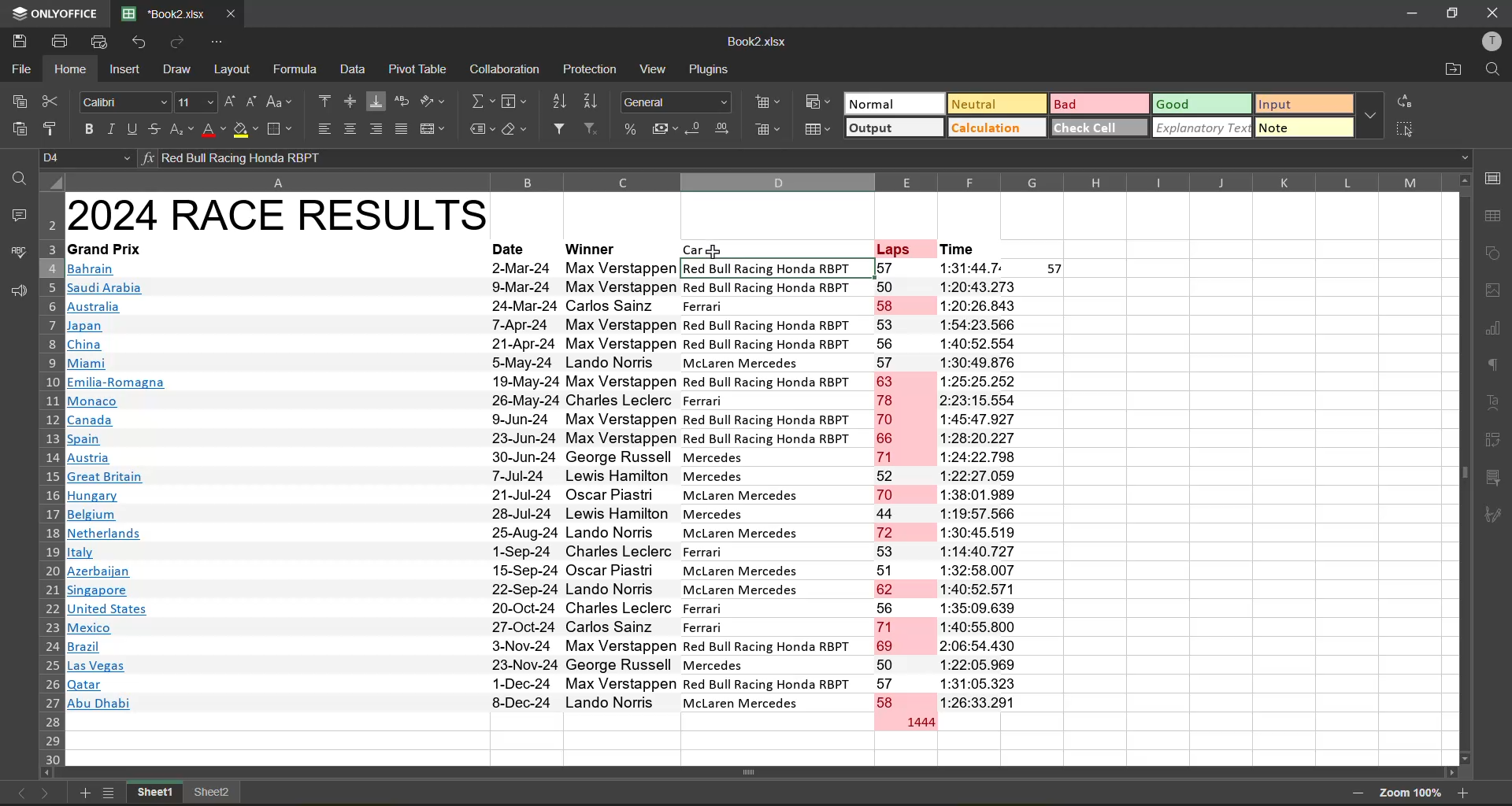 This screenshot has height=806, width=1512. I want to click on output, so click(891, 128).